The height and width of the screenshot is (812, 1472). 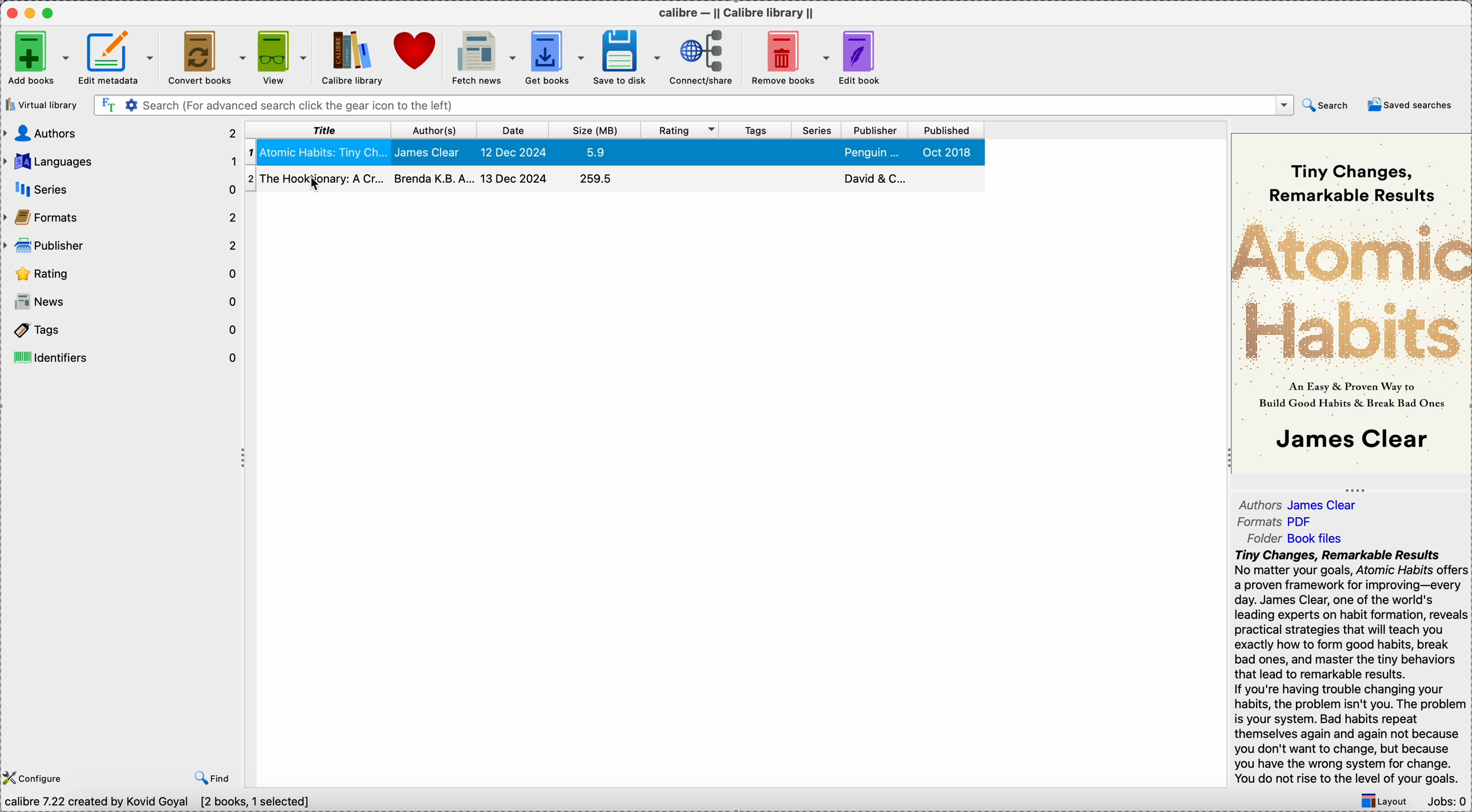 I want to click on size, so click(x=597, y=129).